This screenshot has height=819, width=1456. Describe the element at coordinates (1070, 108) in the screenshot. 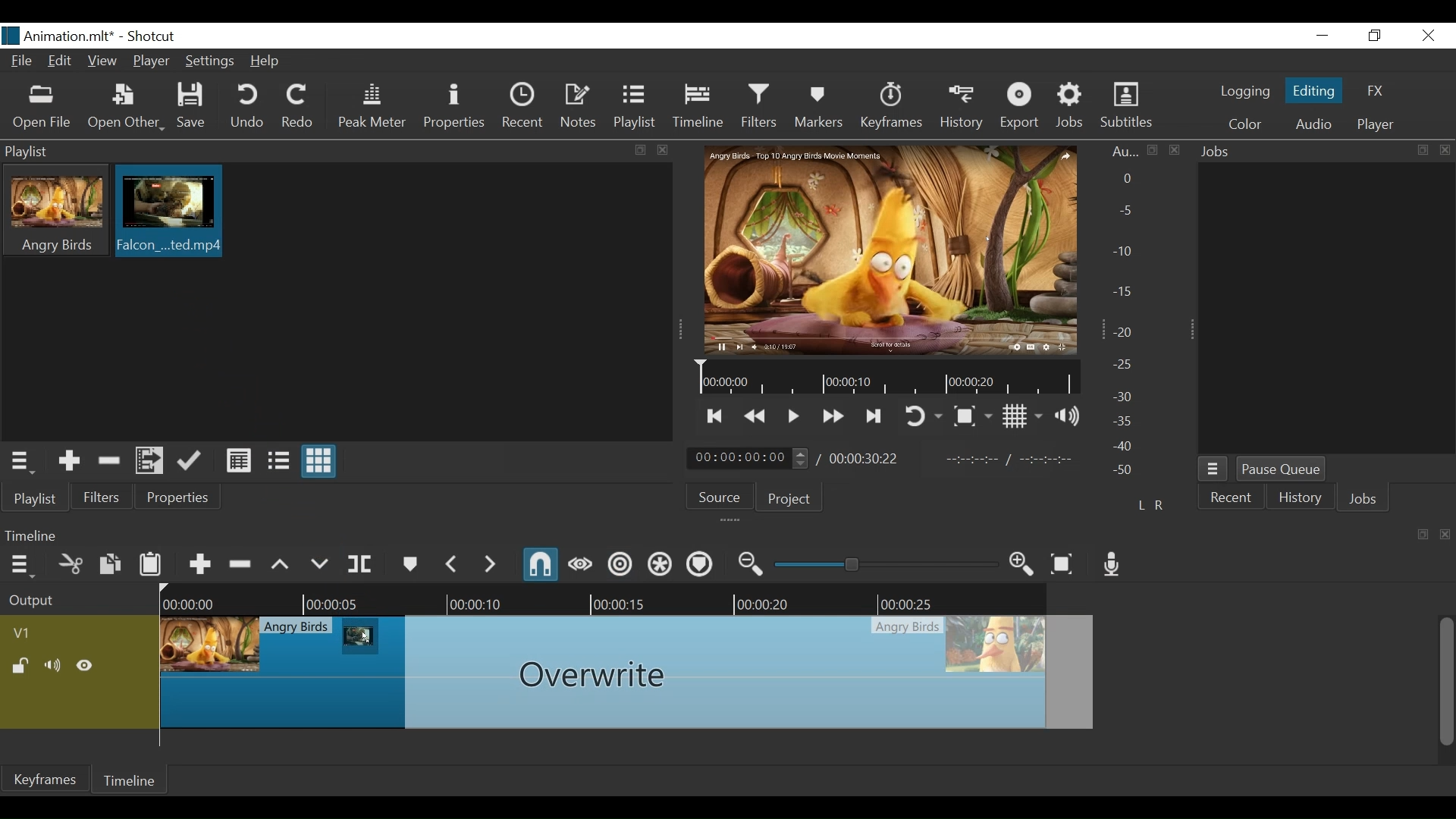

I see `Jobs` at that location.